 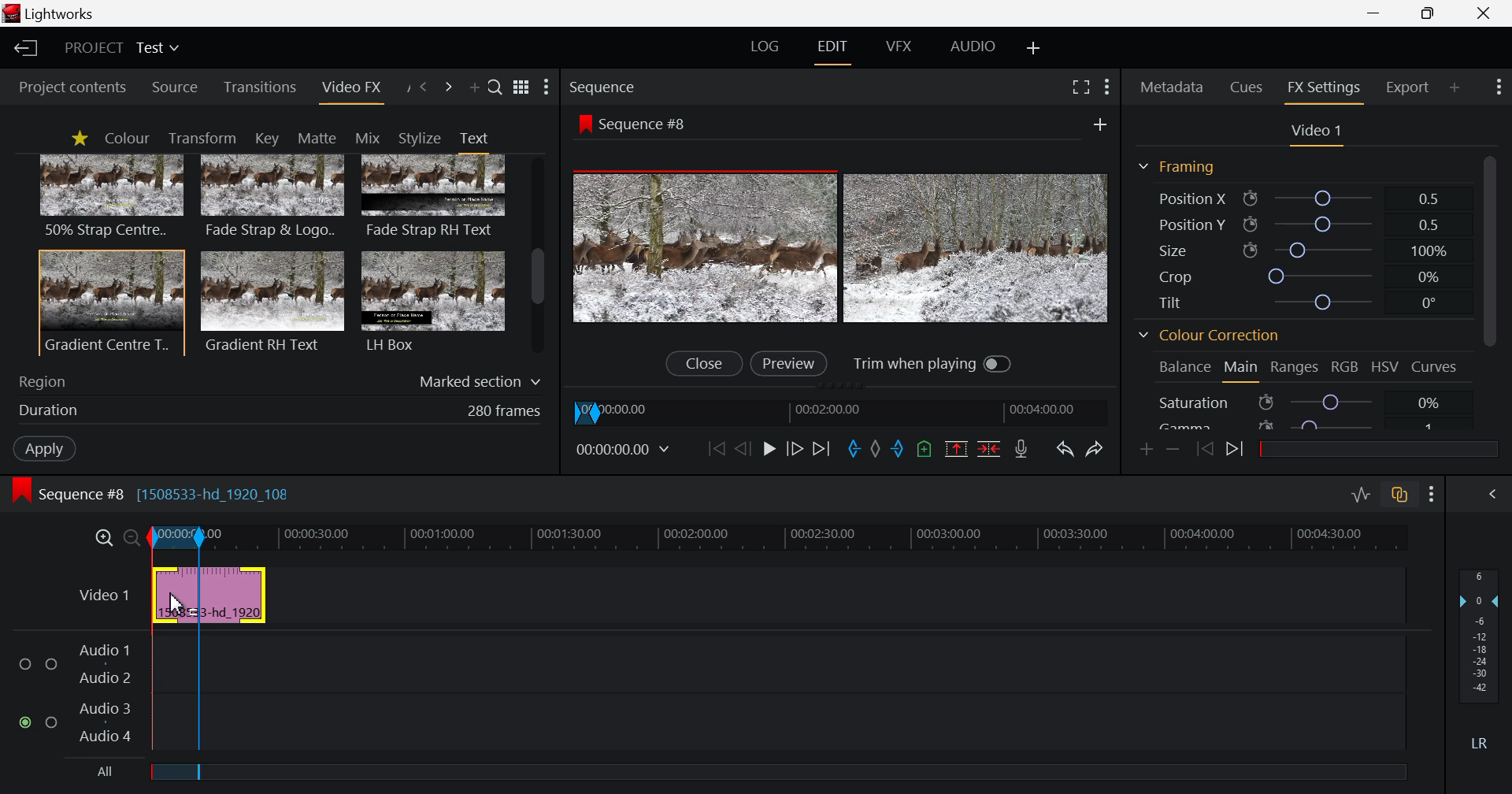 I want to click on Trim when playing, so click(x=933, y=363).